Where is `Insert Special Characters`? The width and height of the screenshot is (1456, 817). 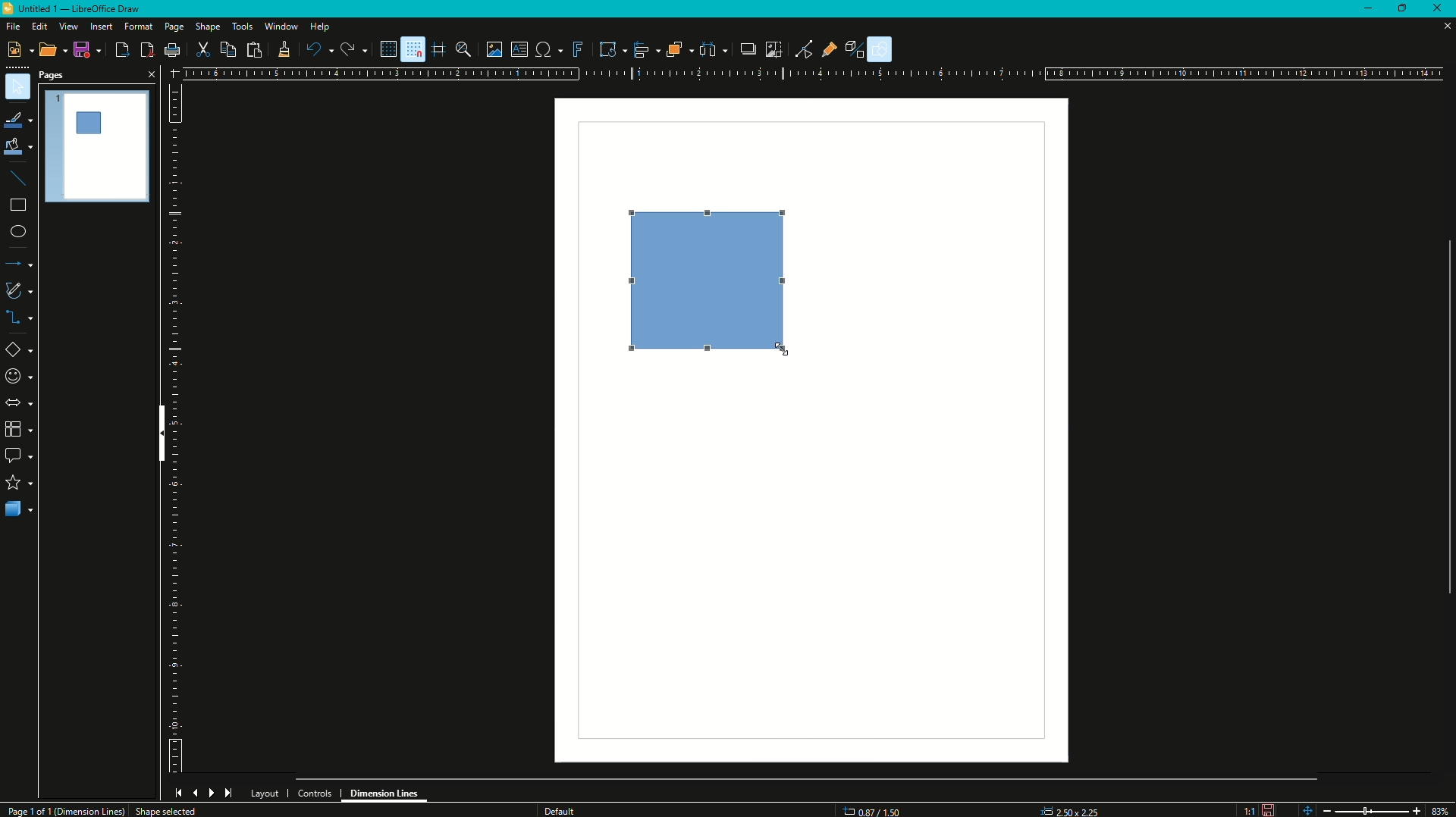 Insert Special Characters is located at coordinates (548, 47).